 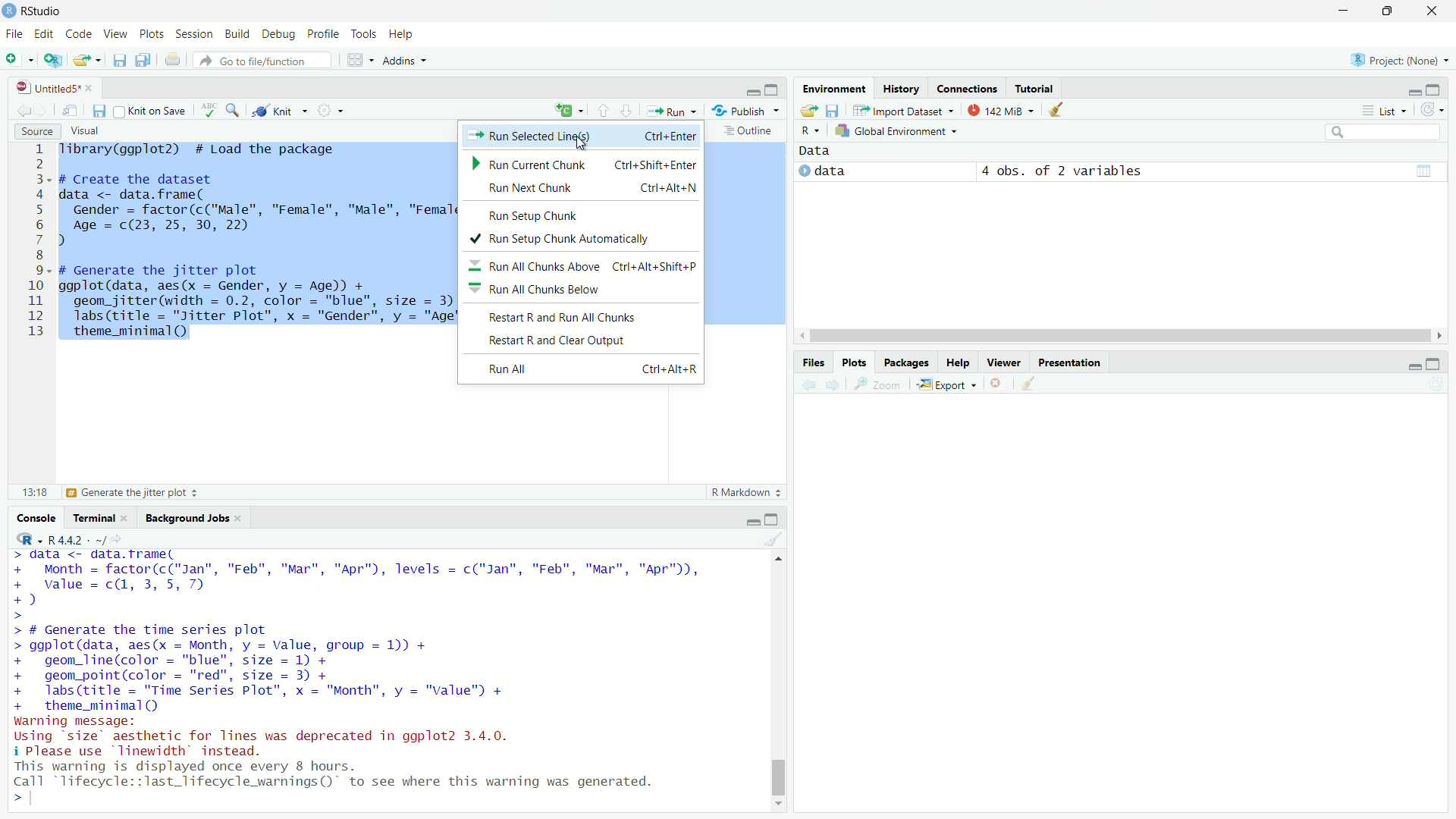 What do you see at coordinates (777, 559) in the screenshot?
I see `move up` at bounding box center [777, 559].